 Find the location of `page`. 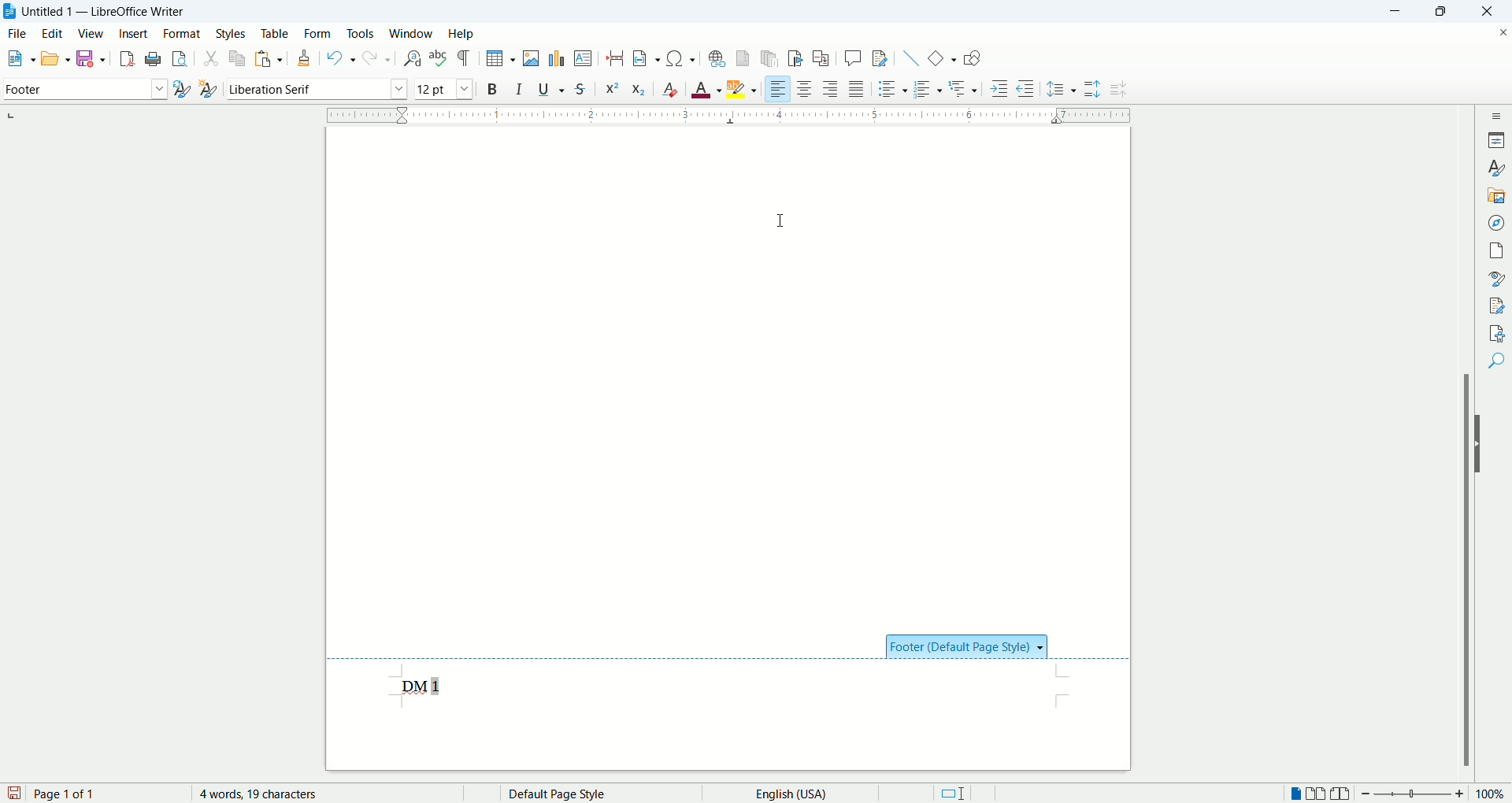

page is located at coordinates (1499, 248).